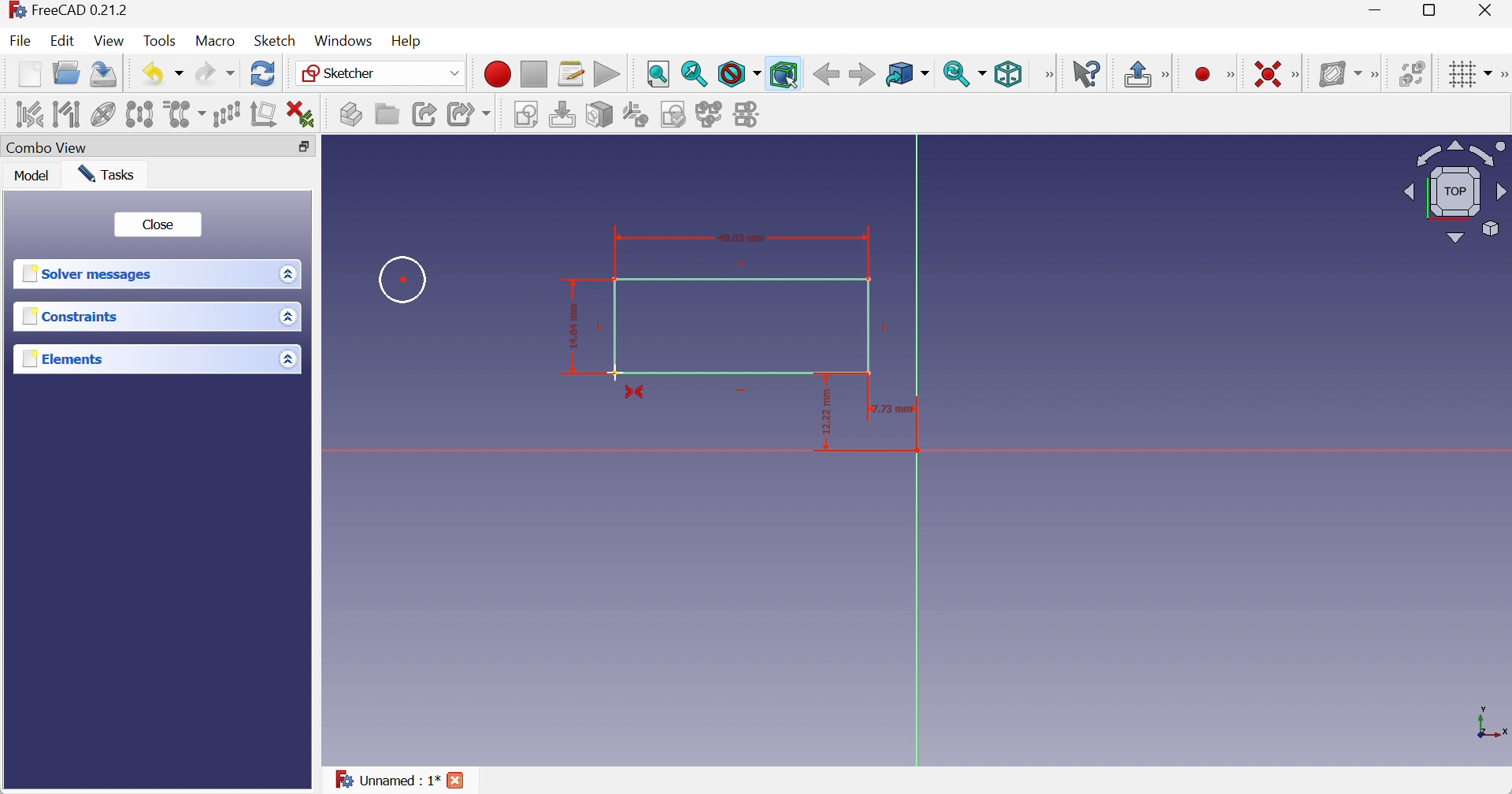 The width and height of the screenshot is (1512, 794). What do you see at coordinates (532, 74) in the screenshot?
I see `Stop macro recording` at bounding box center [532, 74].